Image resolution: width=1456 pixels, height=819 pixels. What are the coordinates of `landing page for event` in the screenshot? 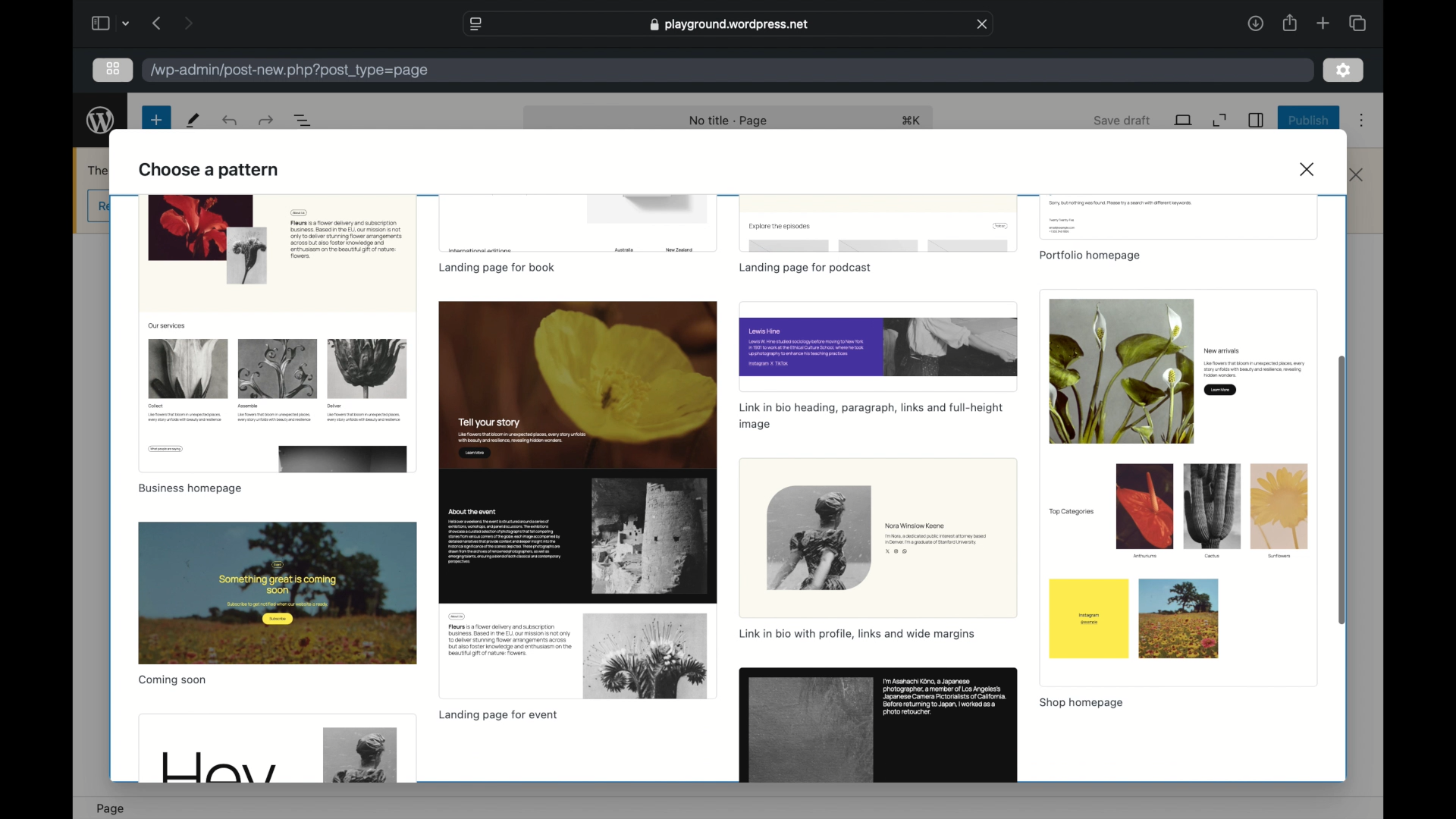 It's located at (497, 716).